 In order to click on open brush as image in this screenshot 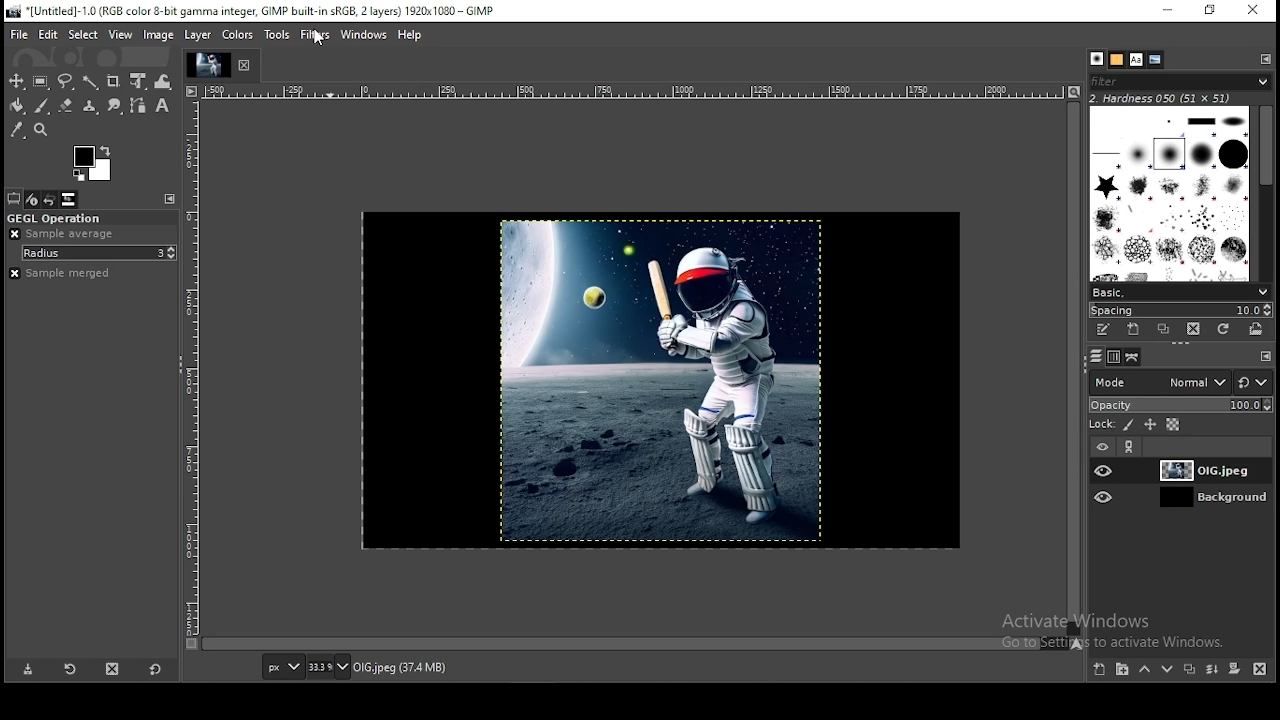, I will do `click(1257, 330)`.